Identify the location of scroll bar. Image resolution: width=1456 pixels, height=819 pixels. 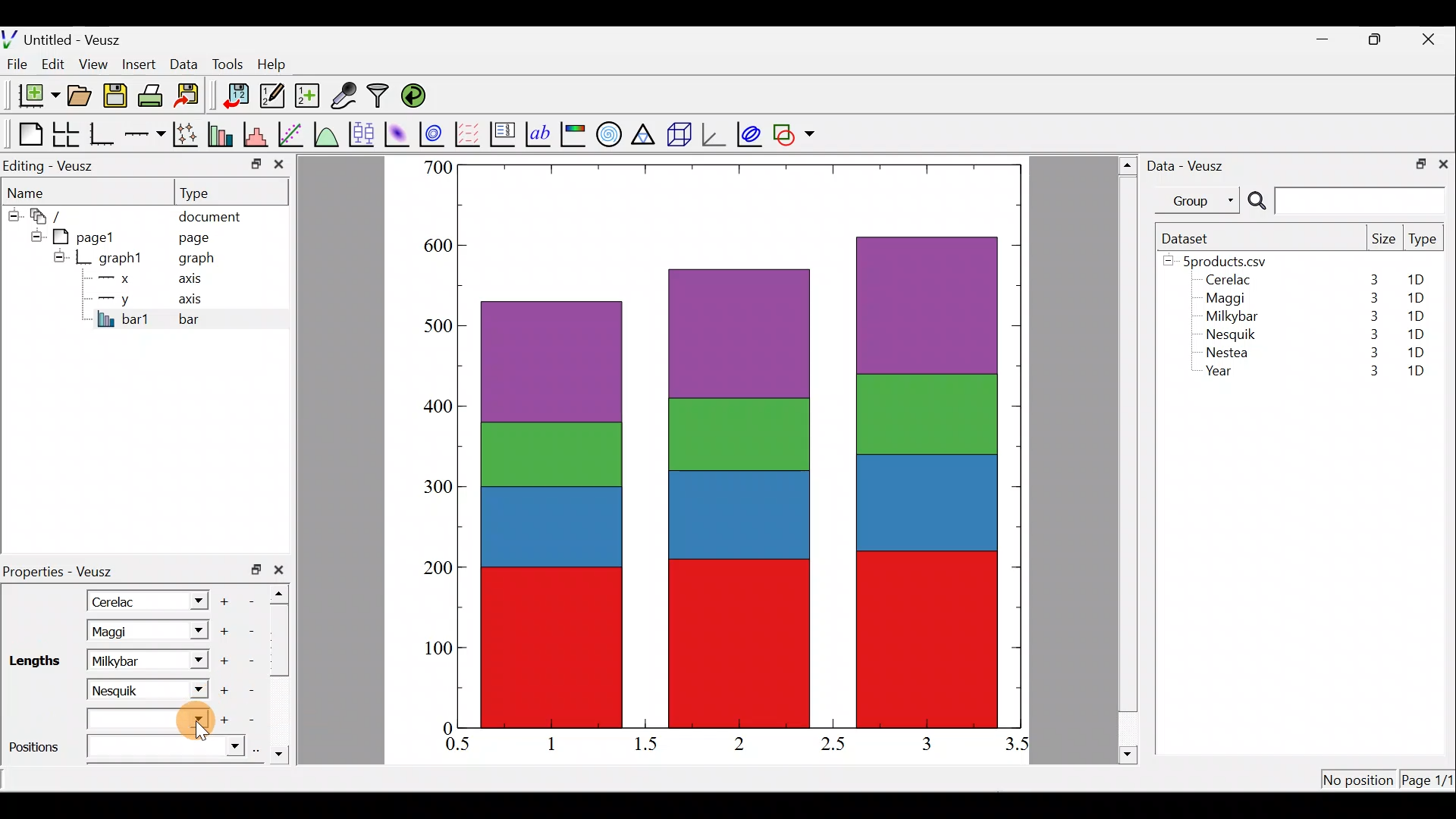
(1128, 457).